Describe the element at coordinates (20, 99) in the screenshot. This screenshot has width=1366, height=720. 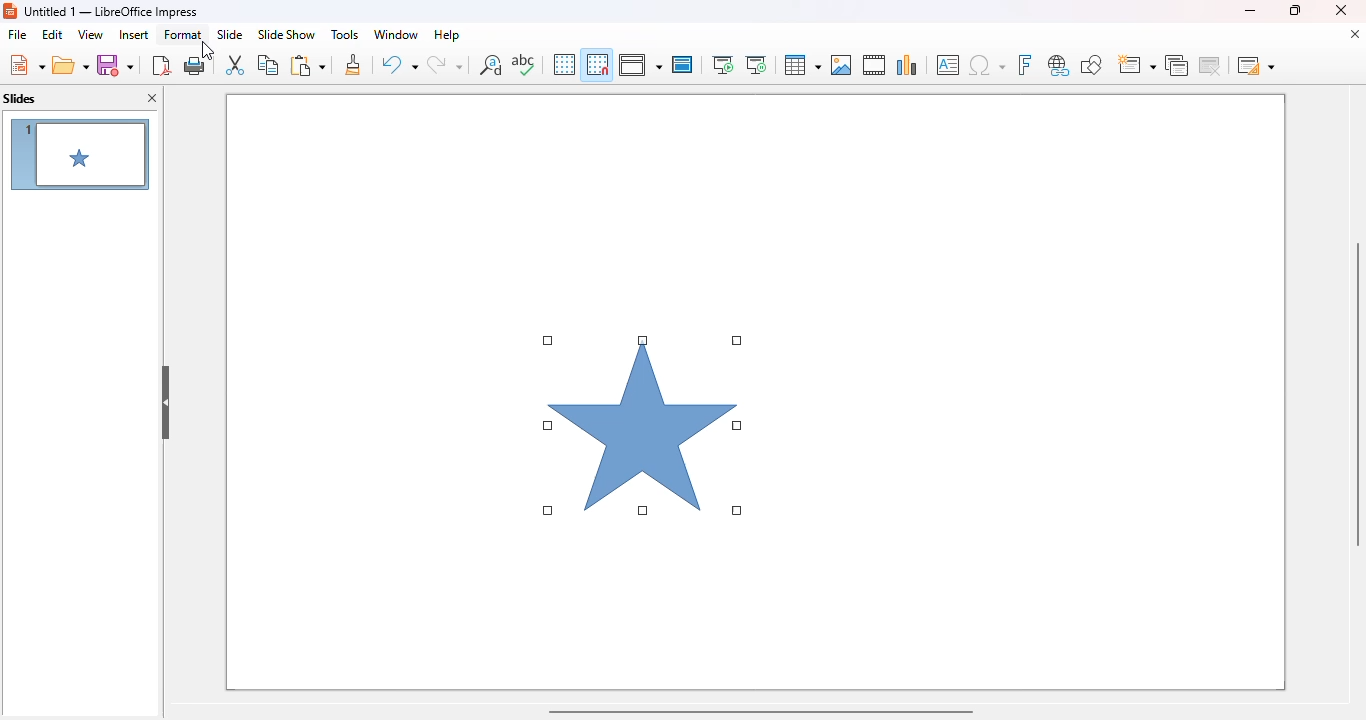
I see `slides` at that location.